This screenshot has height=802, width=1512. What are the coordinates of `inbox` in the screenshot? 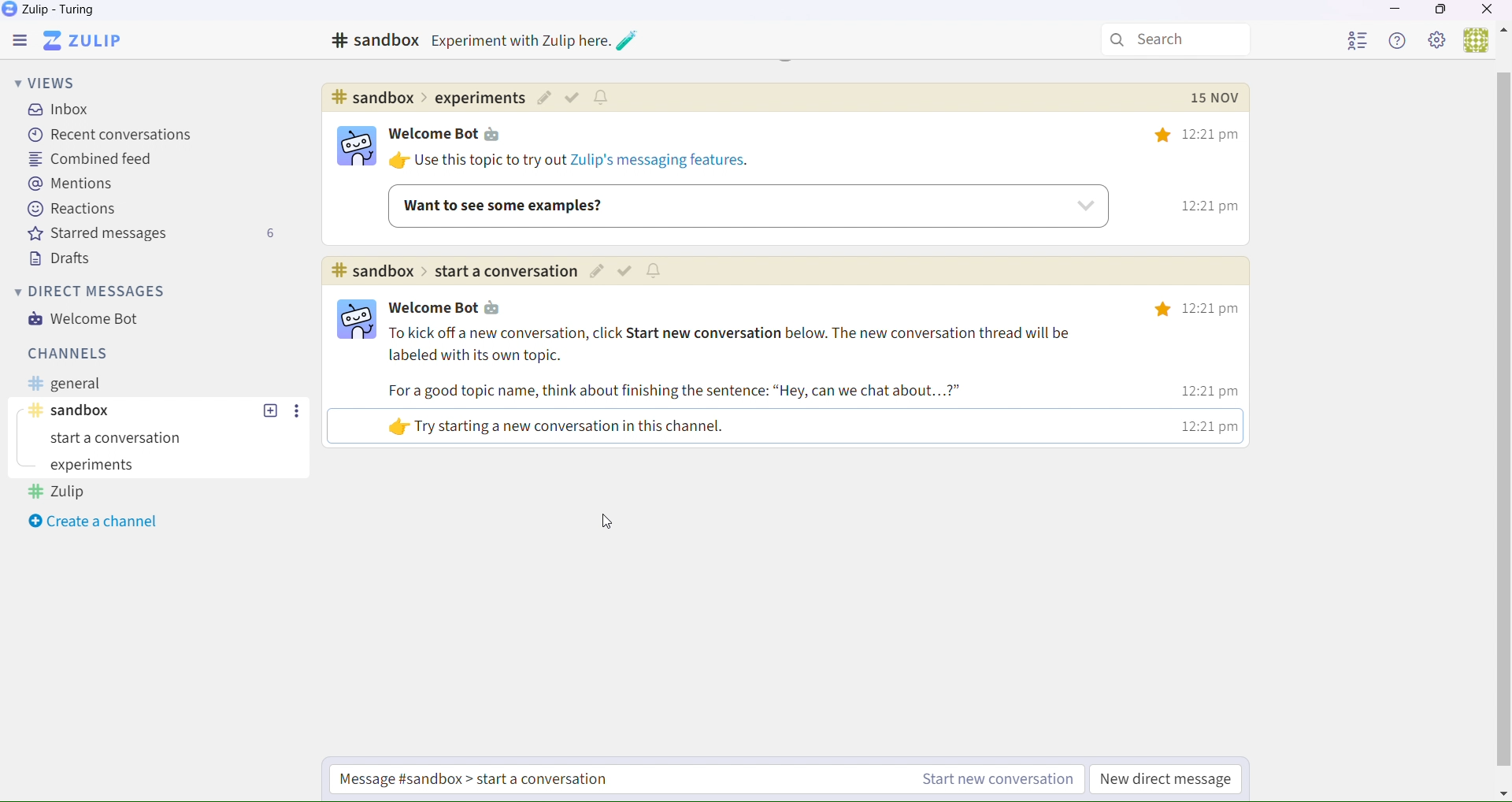 It's located at (63, 111).